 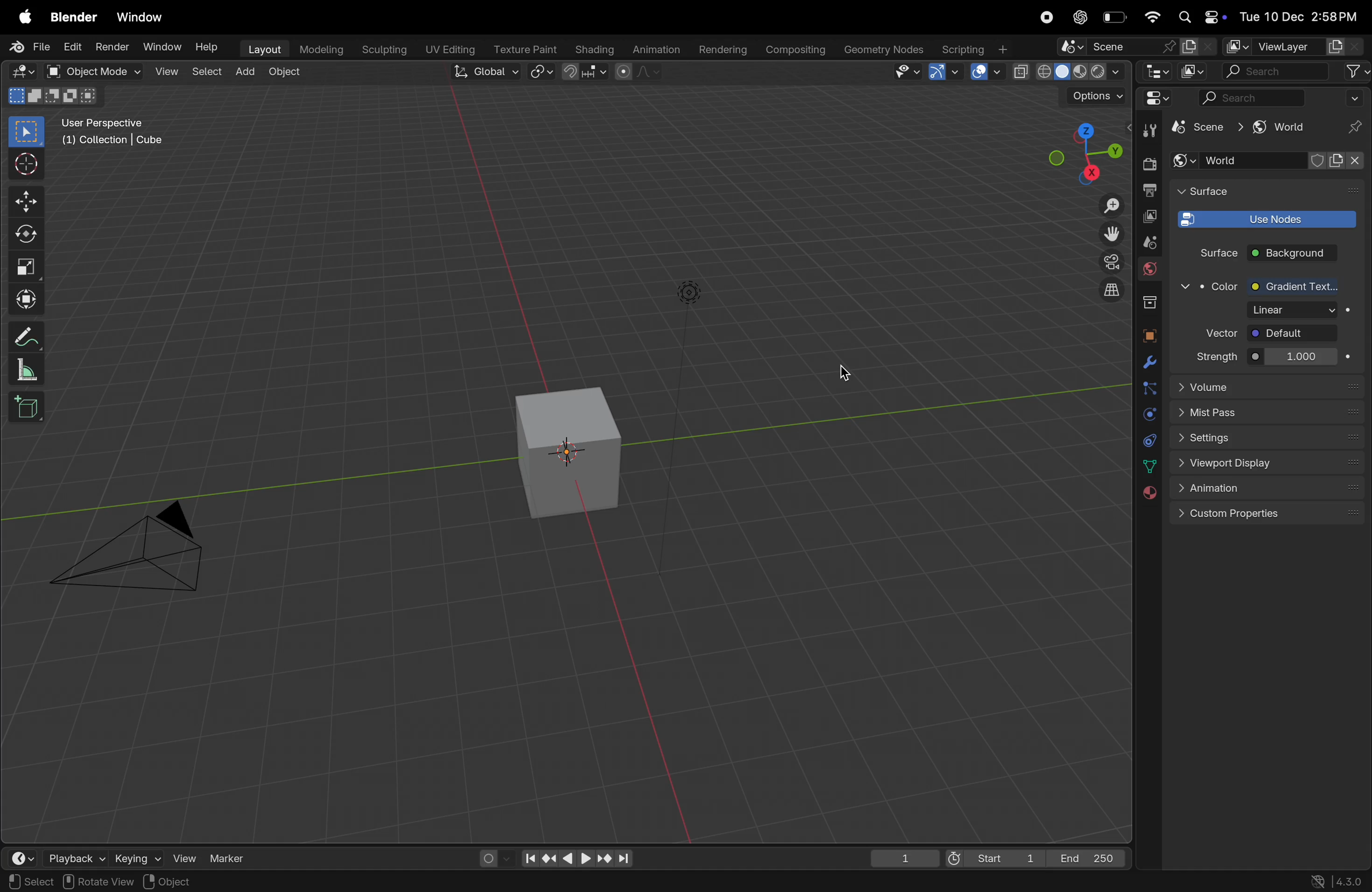 What do you see at coordinates (1148, 440) in the screenshot?
I see `constraints` at bounding box center [1148, 440].